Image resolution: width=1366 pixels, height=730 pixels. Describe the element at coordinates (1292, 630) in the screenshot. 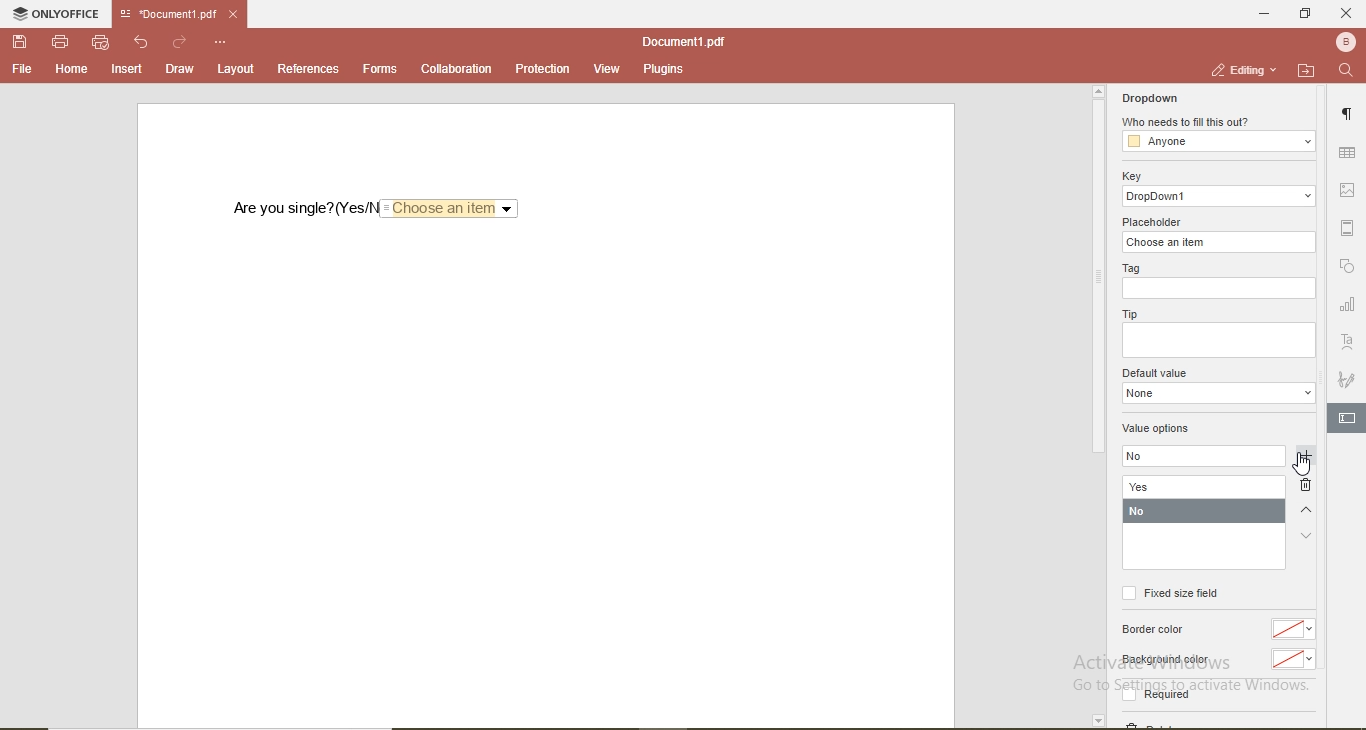

I see `no color` at that location.